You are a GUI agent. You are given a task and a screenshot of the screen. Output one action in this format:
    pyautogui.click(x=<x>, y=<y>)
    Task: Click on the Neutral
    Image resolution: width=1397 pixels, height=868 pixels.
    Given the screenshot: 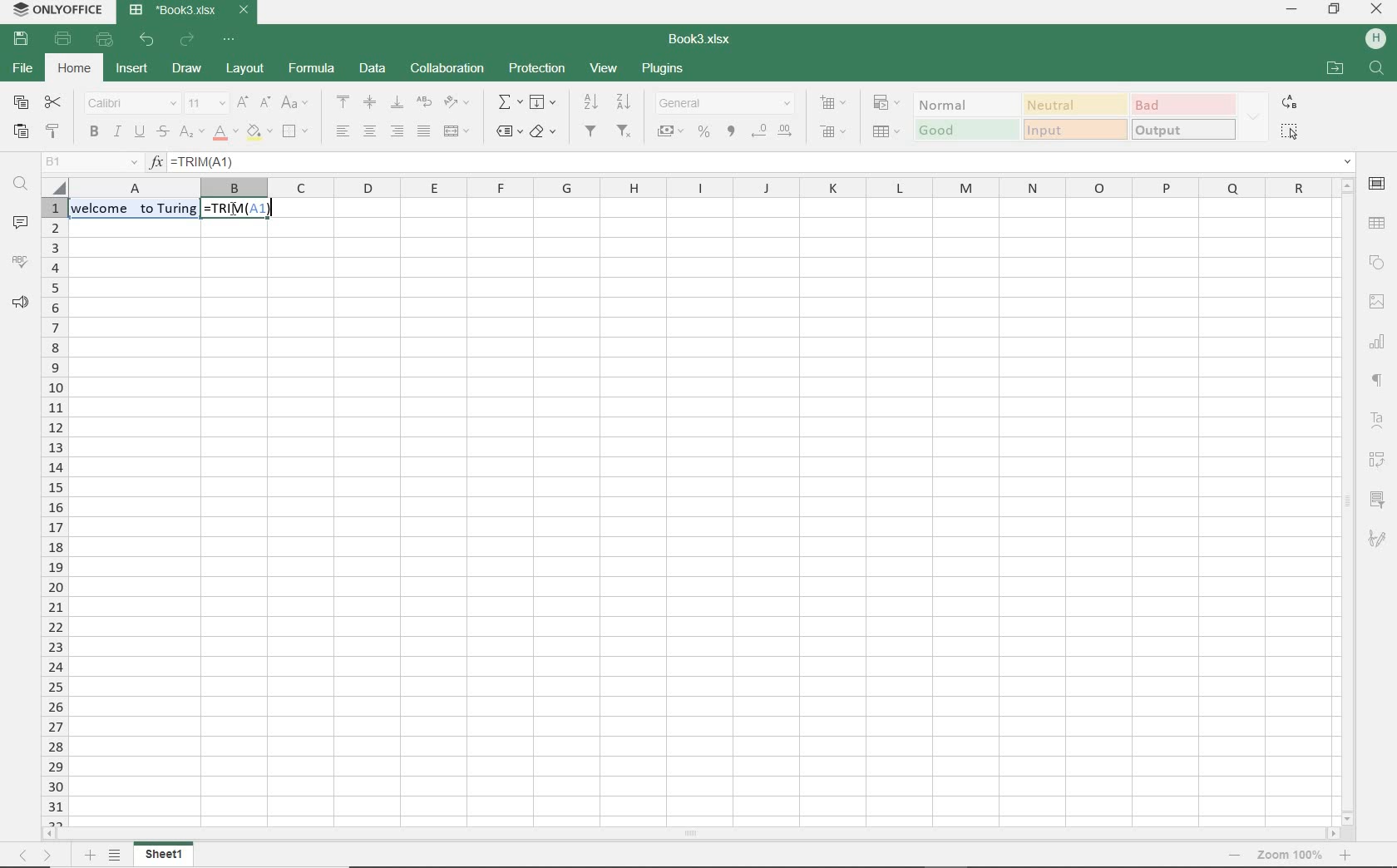 What is the action you would take?
    pyautogui.click(x=1074, y=104)
    